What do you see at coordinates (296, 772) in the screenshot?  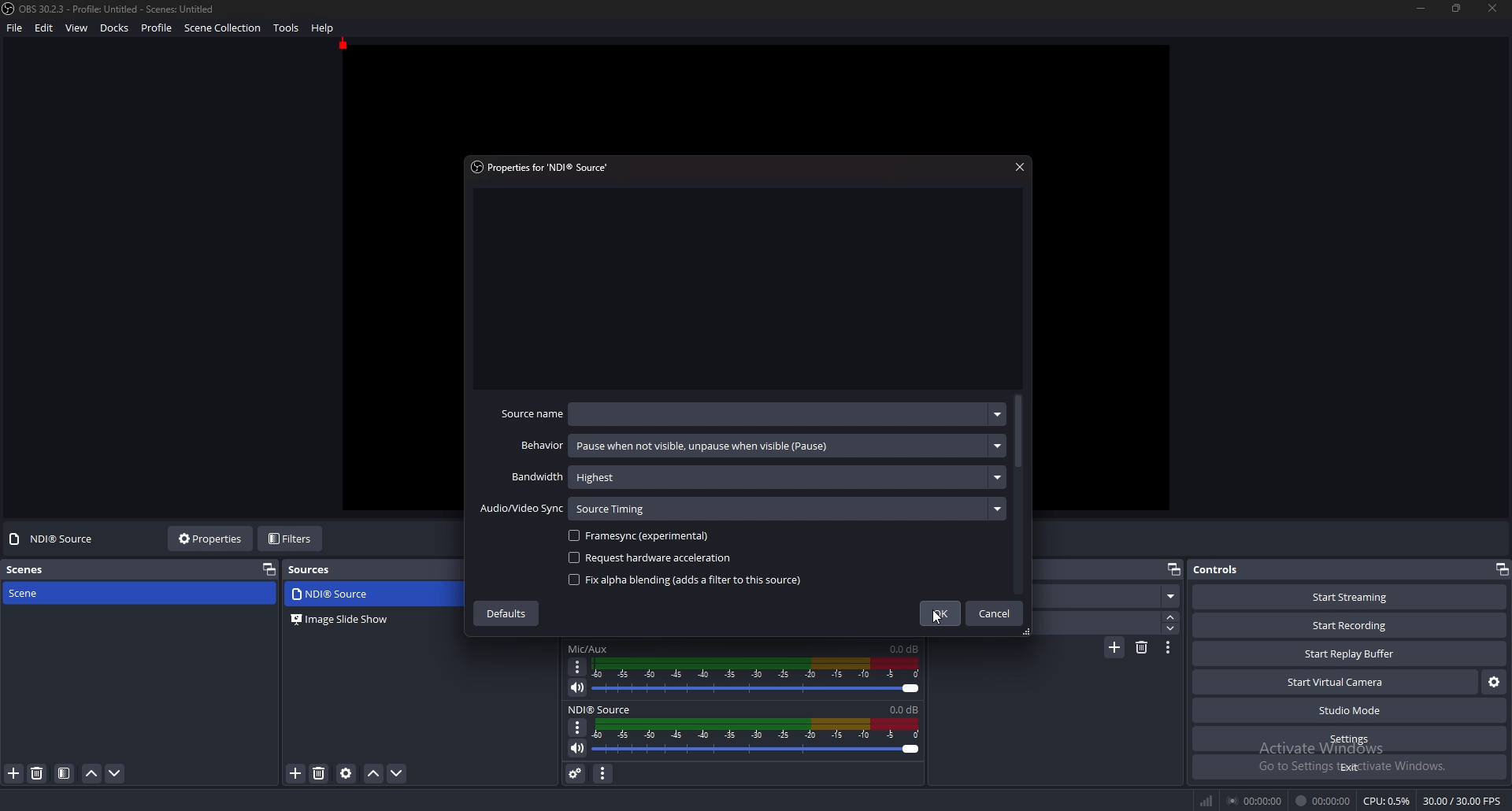 I see `add source` at bounding box center [296, 772].